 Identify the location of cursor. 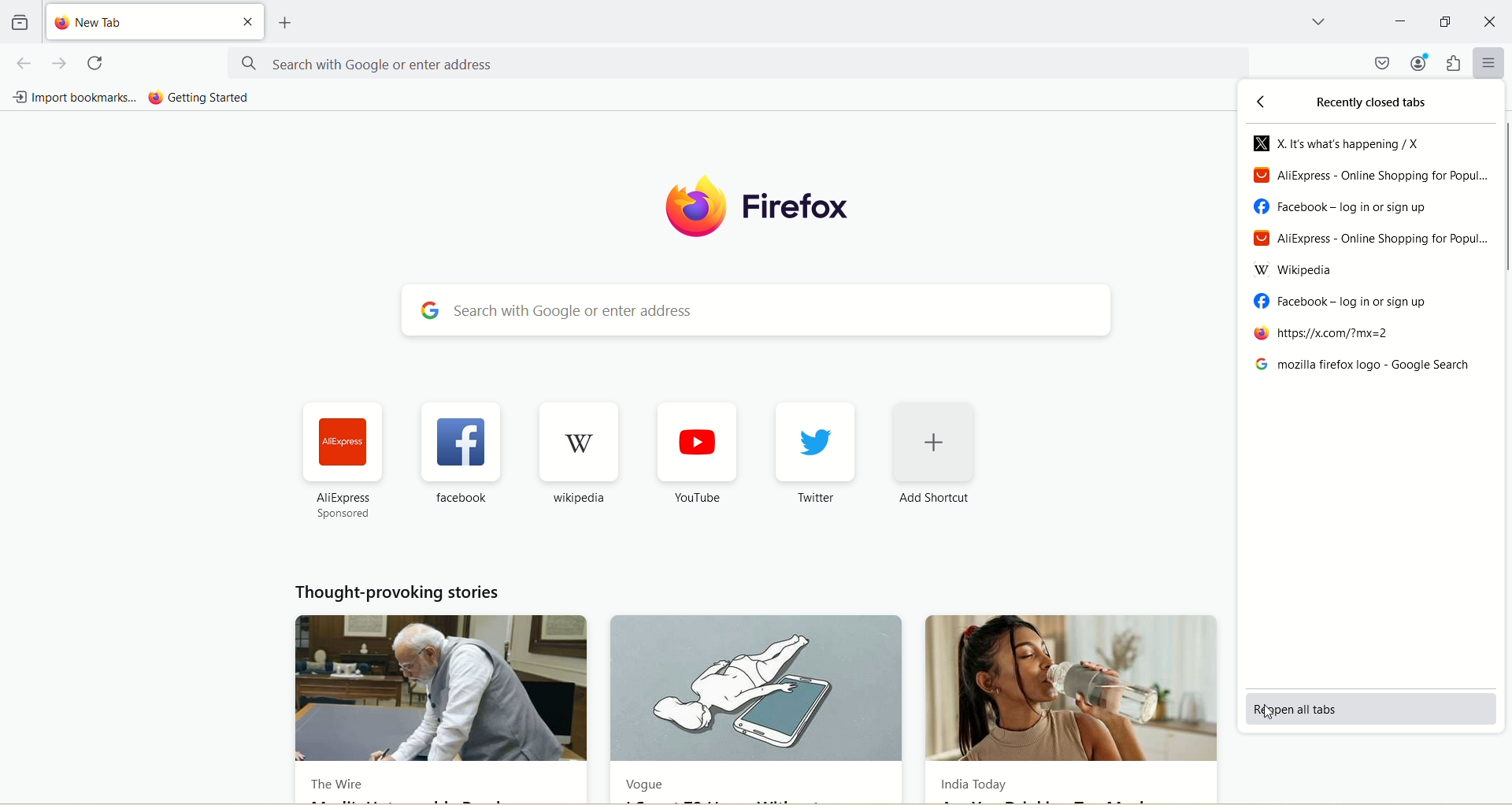
(1273, 712).